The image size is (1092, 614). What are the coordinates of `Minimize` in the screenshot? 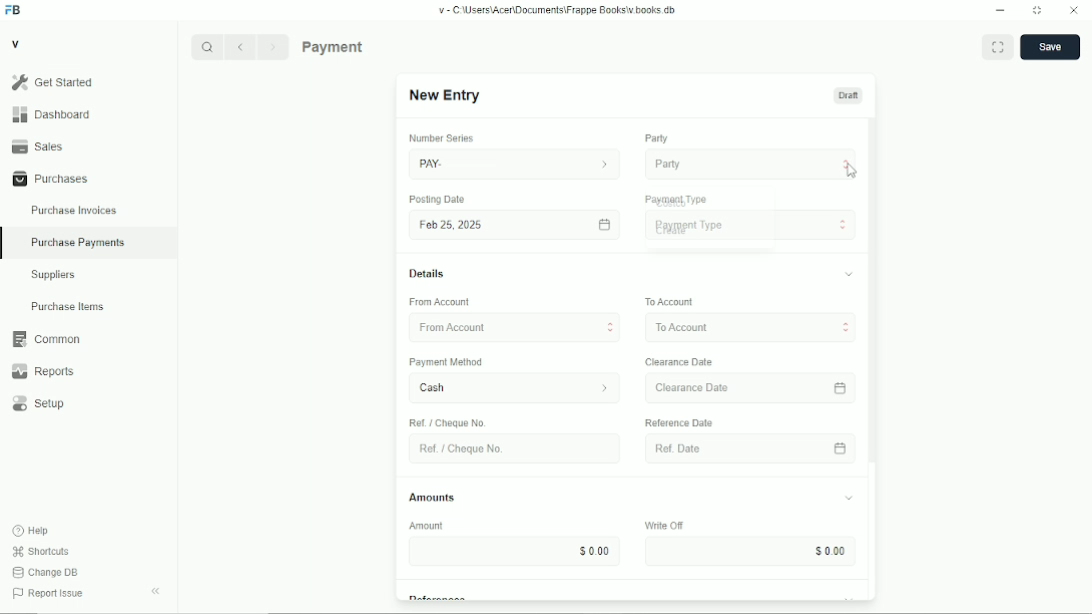 It's located at (1000, 10).